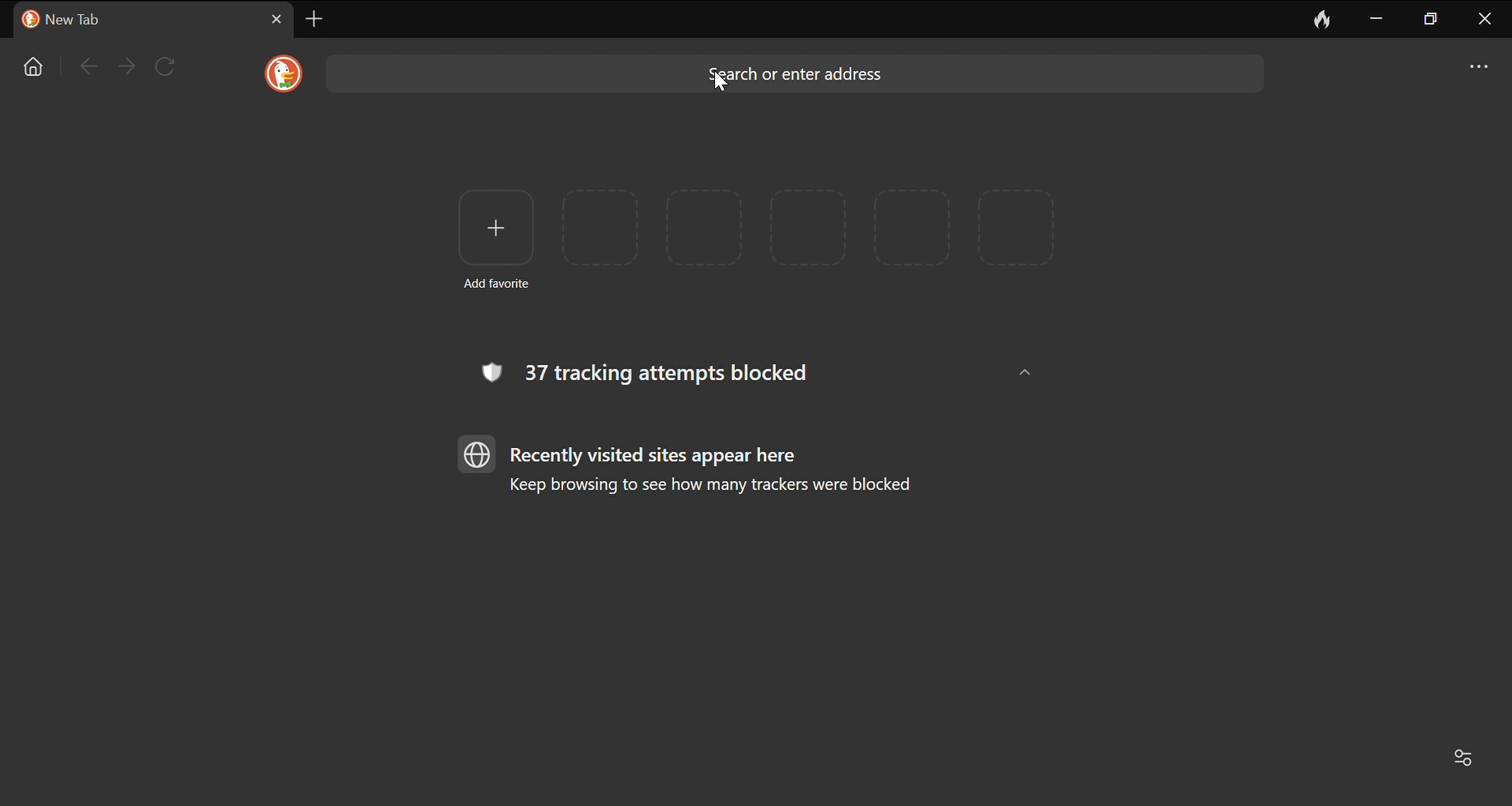  What do you see at coordinates (127, 66) in the screenshot?
I see `Forward` at bounding box center [127, 66].